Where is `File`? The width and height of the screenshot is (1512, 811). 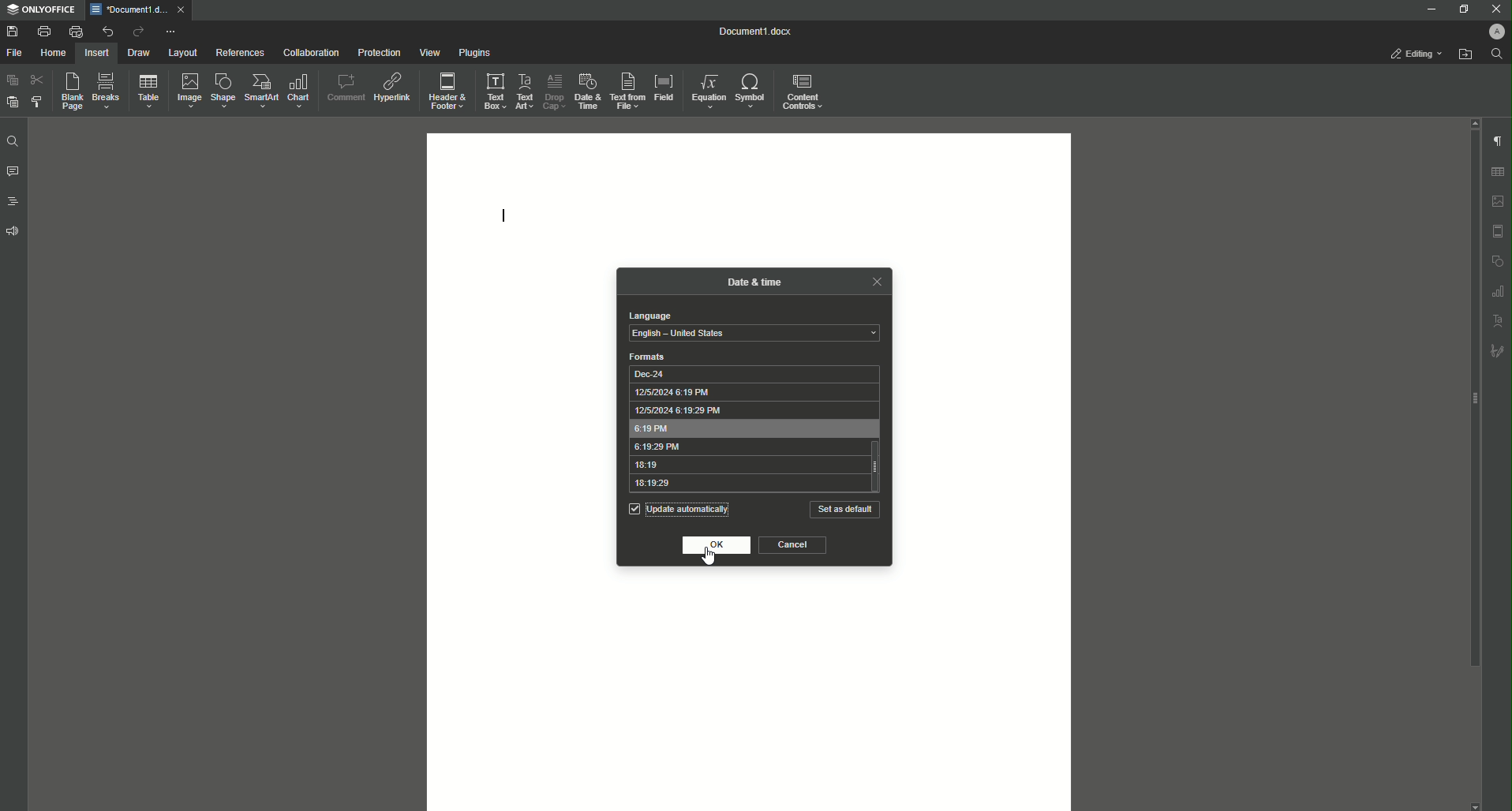
File is located at coordinates (17, 53).